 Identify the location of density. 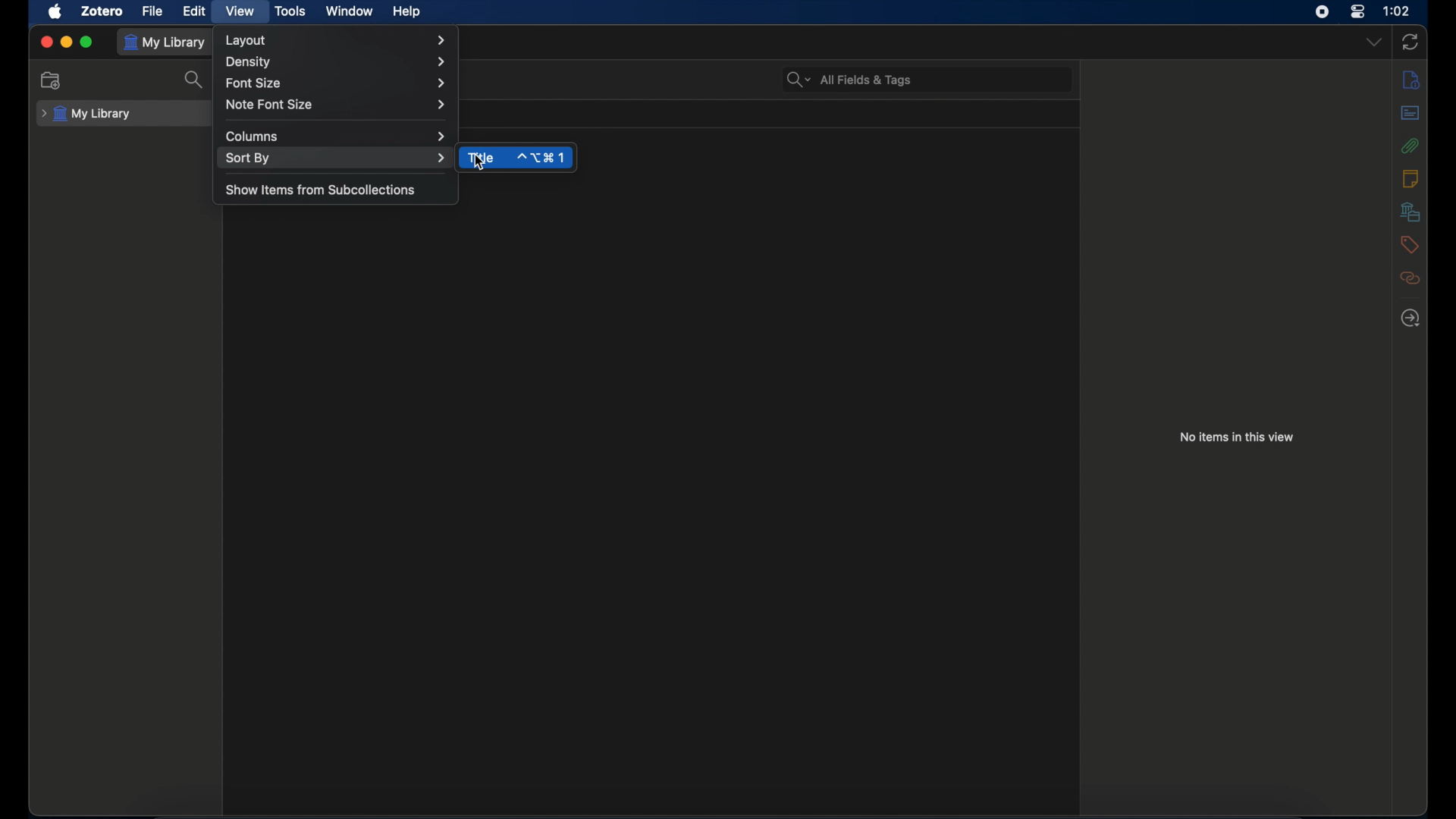
(334, 61).